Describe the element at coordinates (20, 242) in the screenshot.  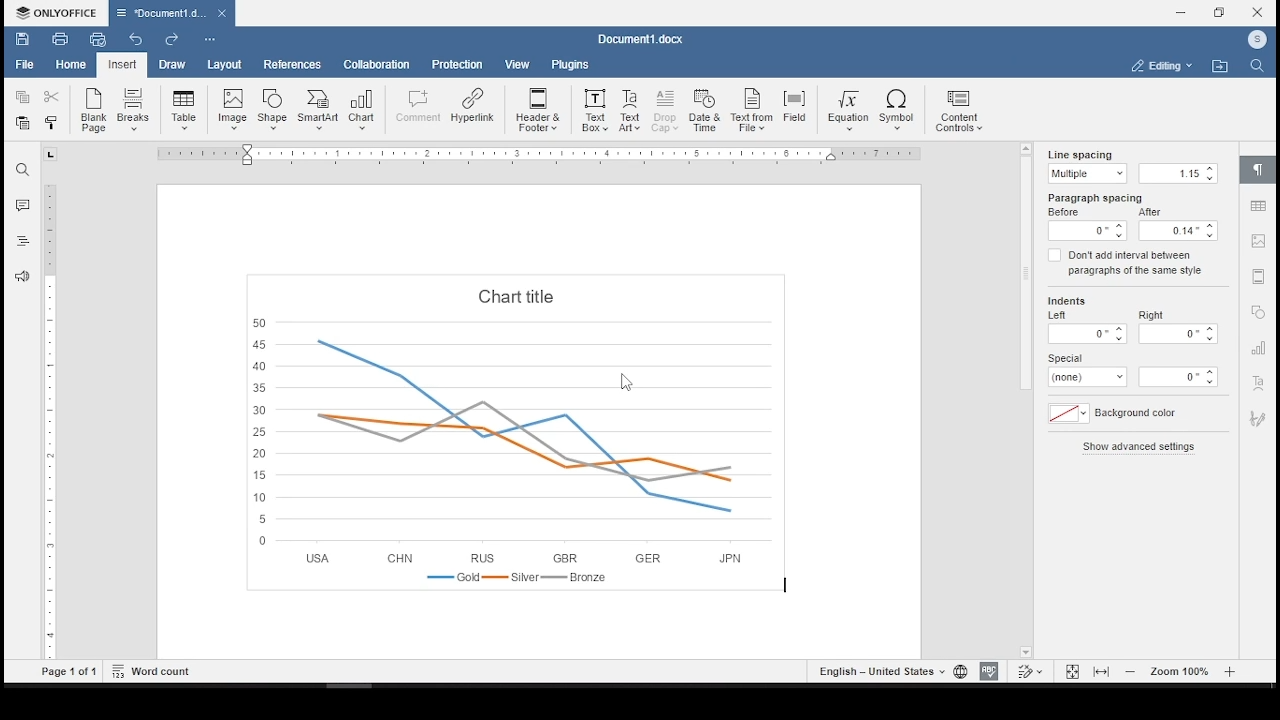
I see `headings` at that location.